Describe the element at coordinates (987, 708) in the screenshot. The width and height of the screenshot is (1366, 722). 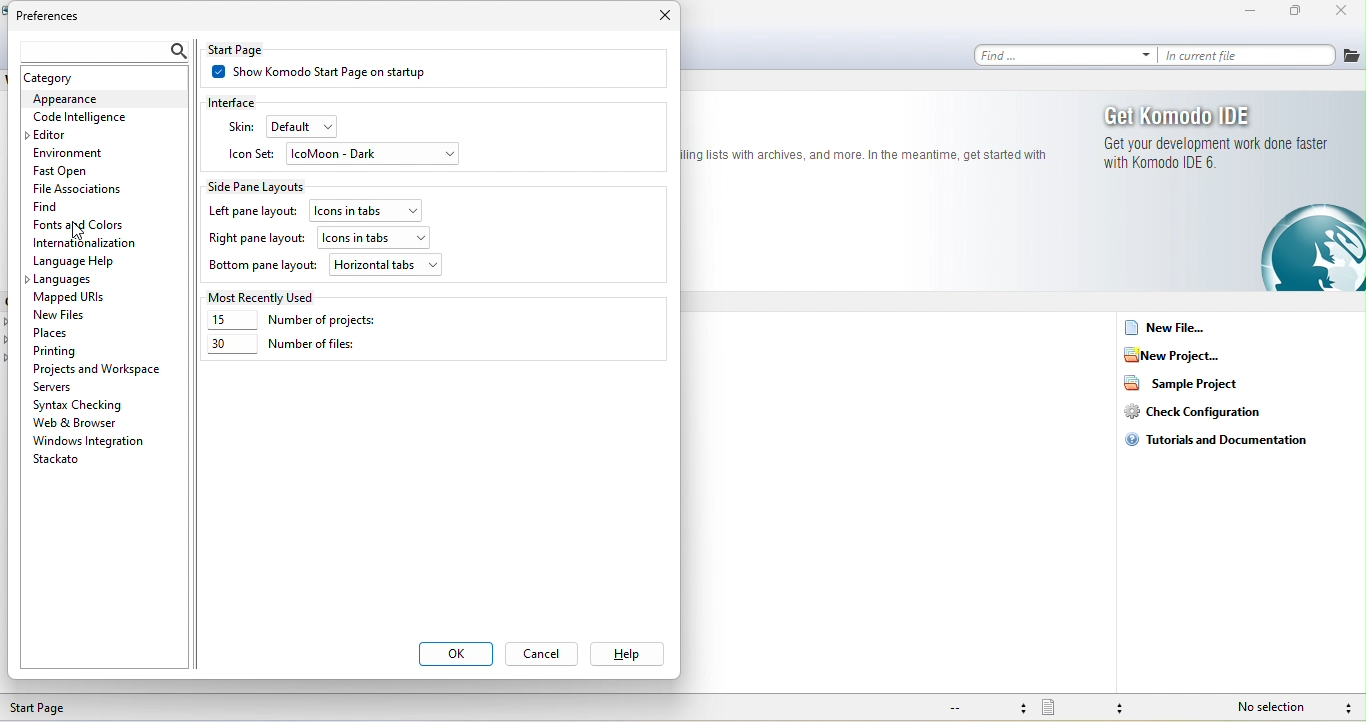
I see `file encoding` at that location.